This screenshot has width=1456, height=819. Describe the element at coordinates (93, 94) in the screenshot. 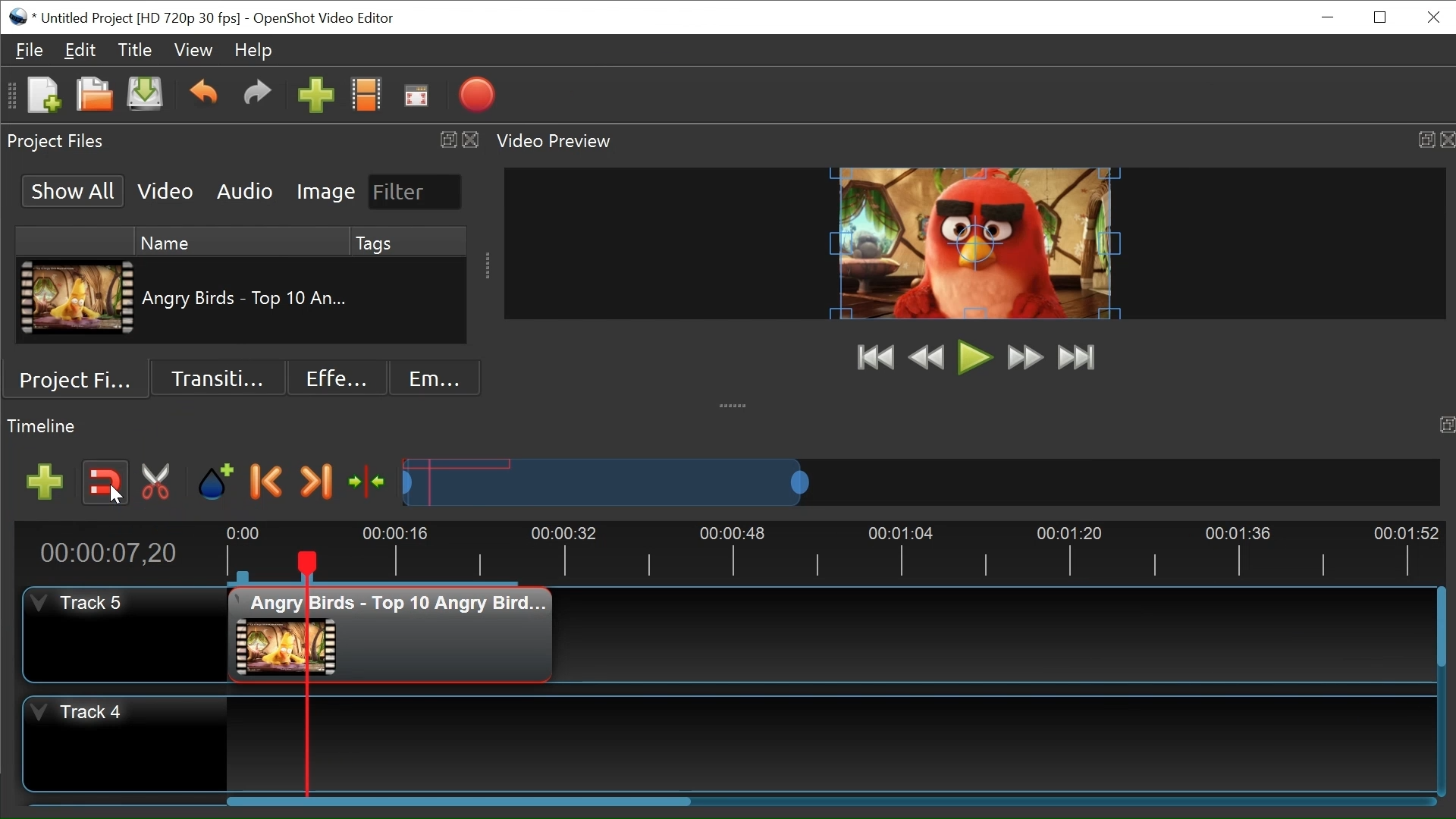

I see `Open Project` at that location.